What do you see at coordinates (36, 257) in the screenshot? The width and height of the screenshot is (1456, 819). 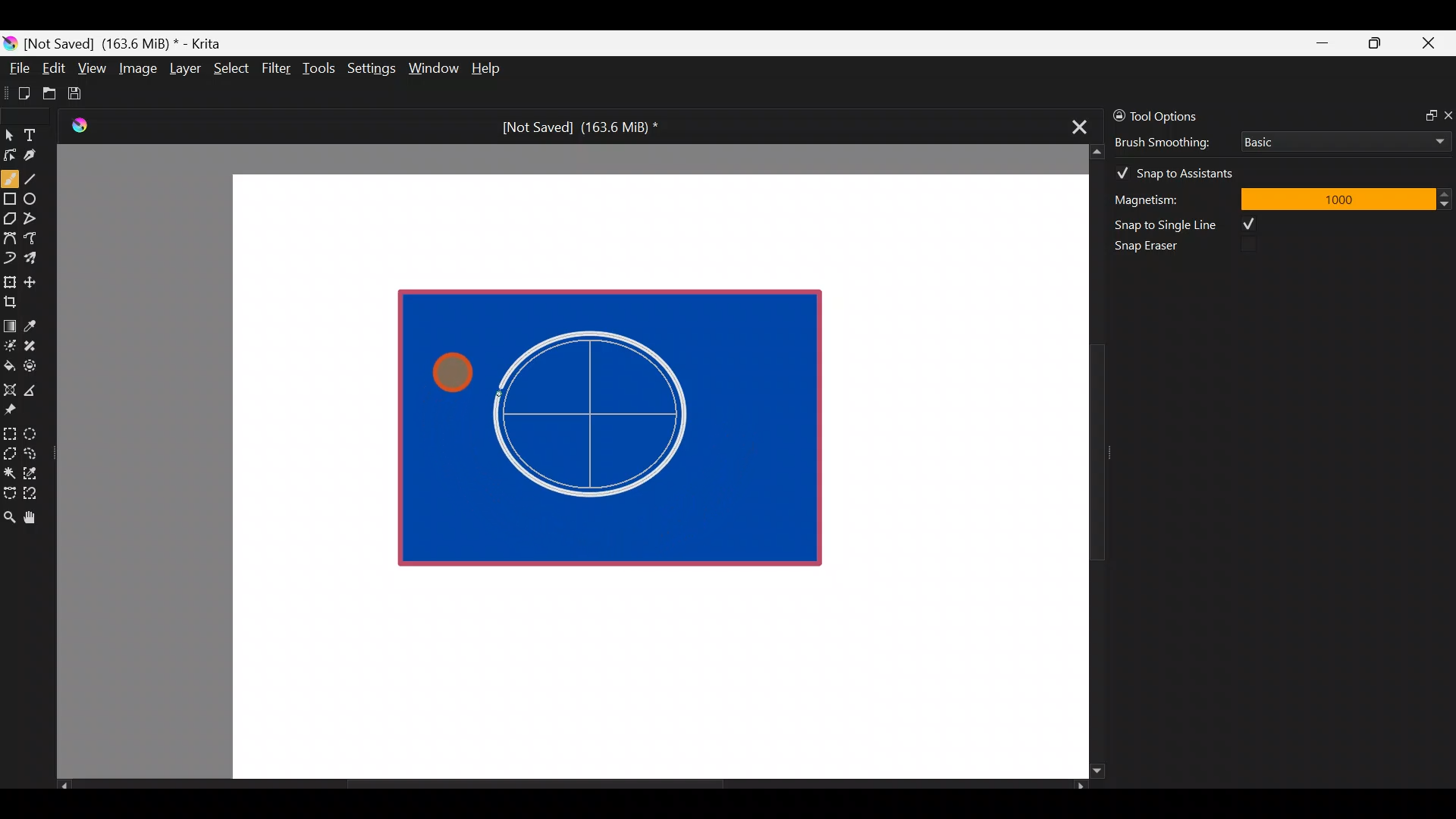 I see `Multibrush tool` at bounding box center [36, 257].